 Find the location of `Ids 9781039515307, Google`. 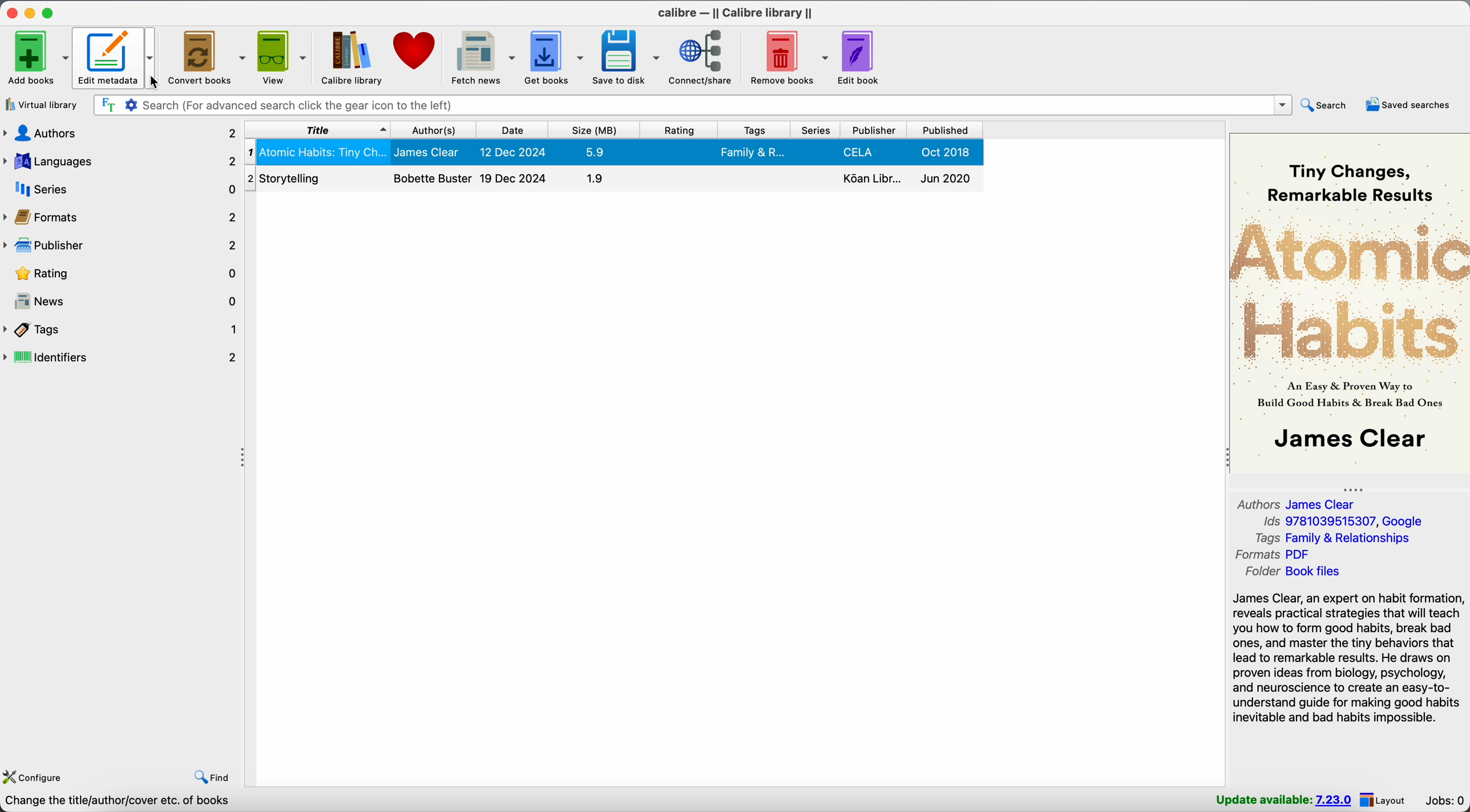

Ids 9781039515307, Google is located at coordinates (1346, 522).